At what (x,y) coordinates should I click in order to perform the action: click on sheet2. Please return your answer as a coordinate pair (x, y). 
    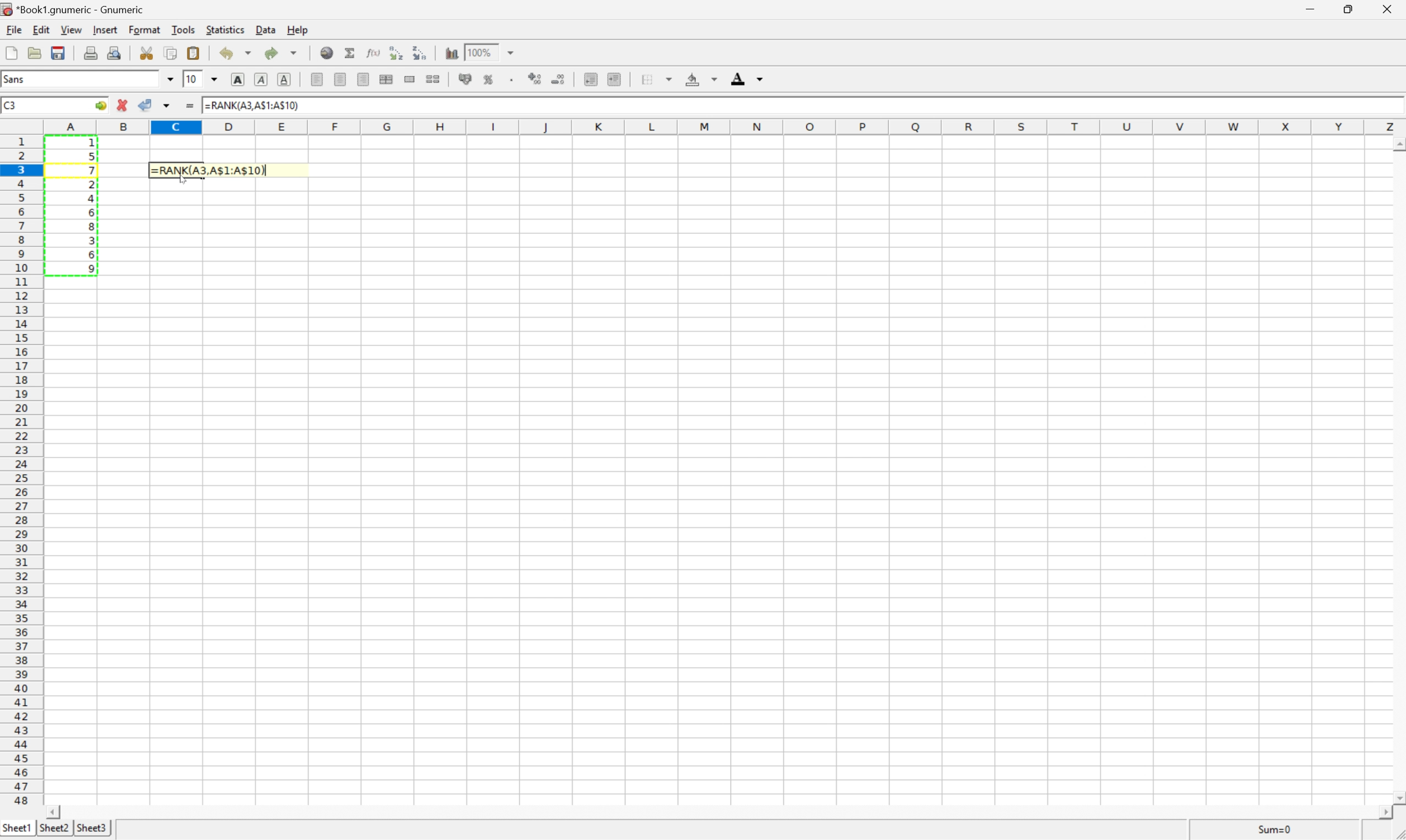
    Looking at the image, I should click on (53, 828).